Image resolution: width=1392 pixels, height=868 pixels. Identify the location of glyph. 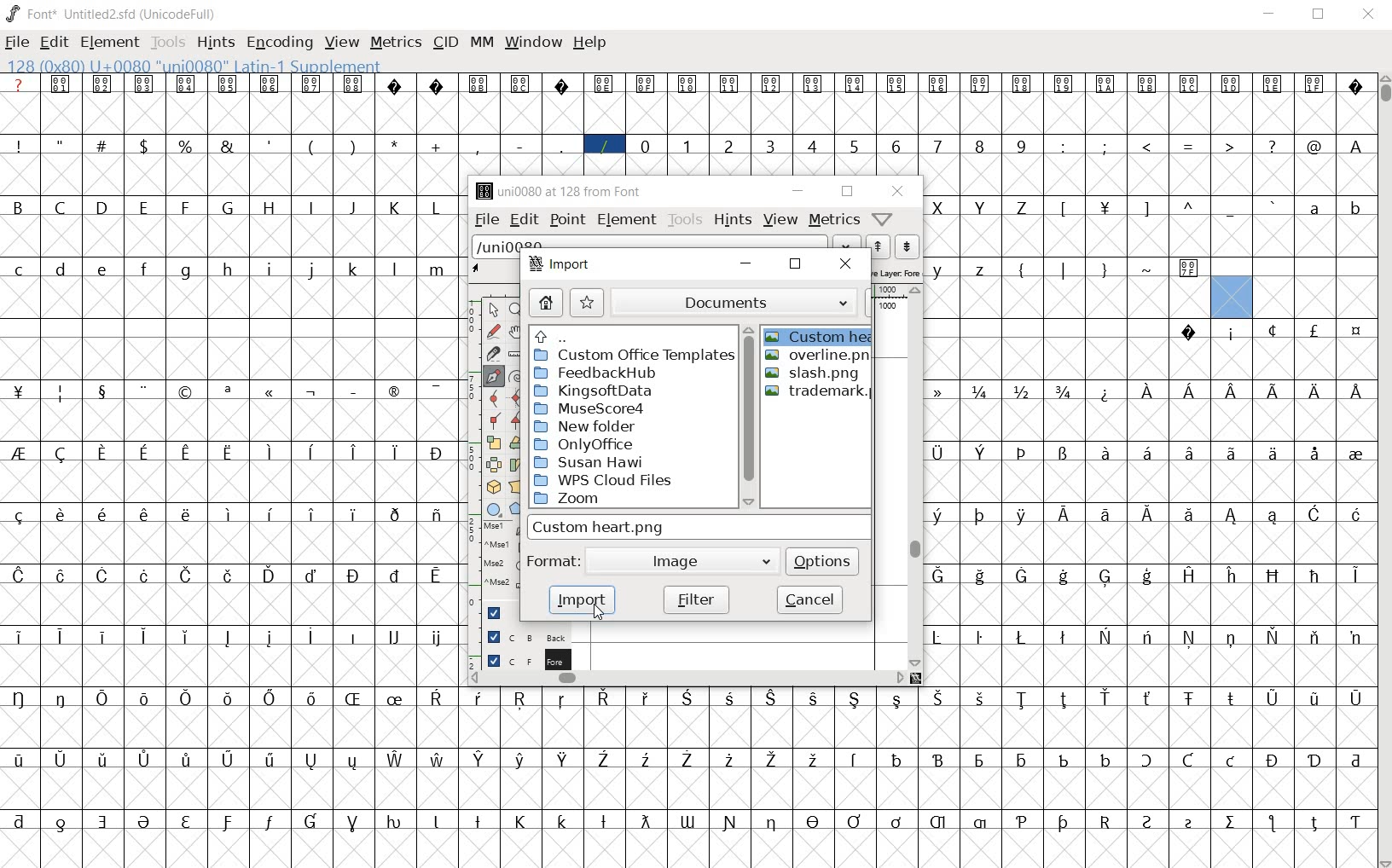
(1189, 699).